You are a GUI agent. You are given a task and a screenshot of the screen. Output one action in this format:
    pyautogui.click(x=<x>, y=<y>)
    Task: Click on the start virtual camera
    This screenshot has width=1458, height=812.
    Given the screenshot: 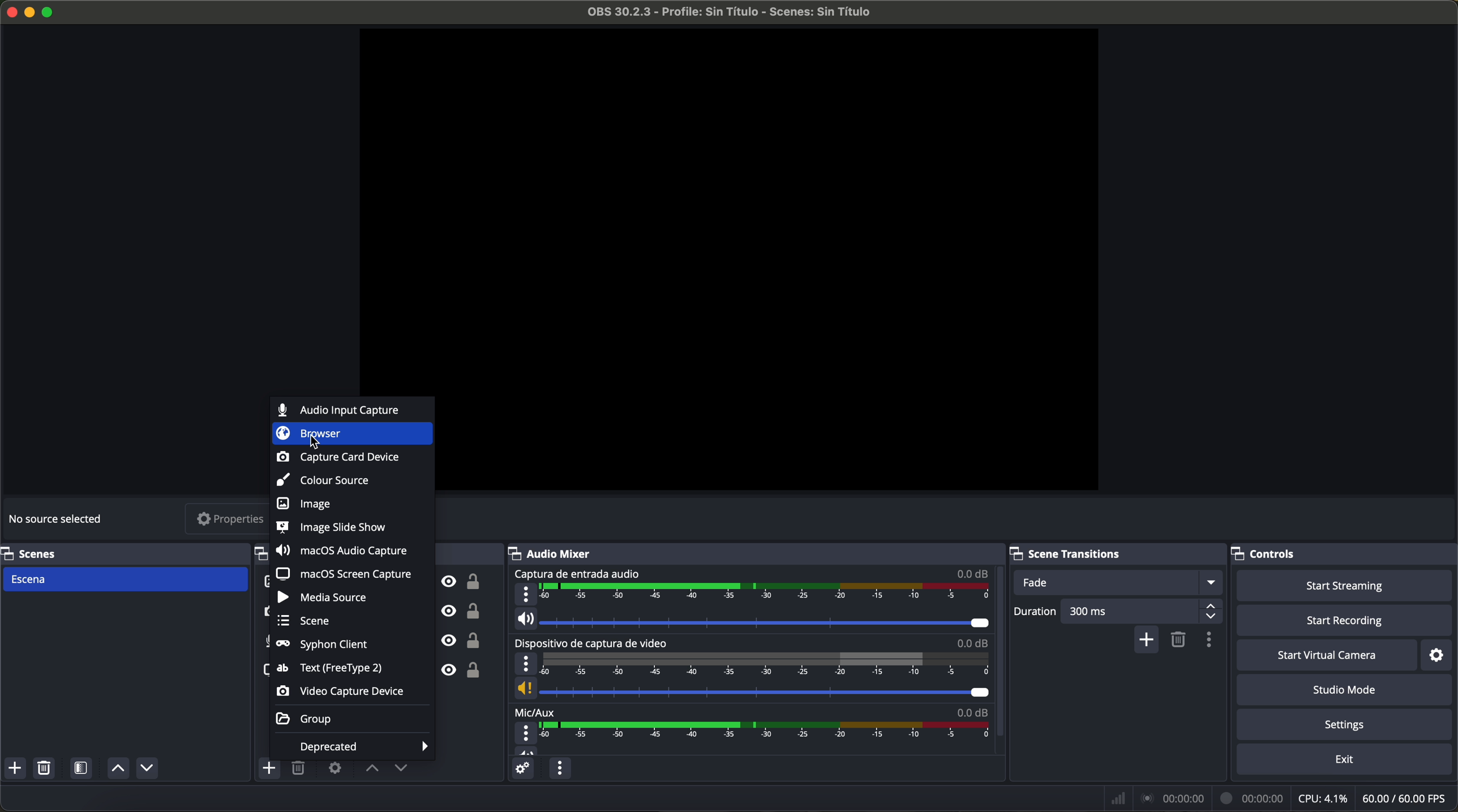 What is the action you would take?
    pyautogui.click(x=1328, y=656)
    